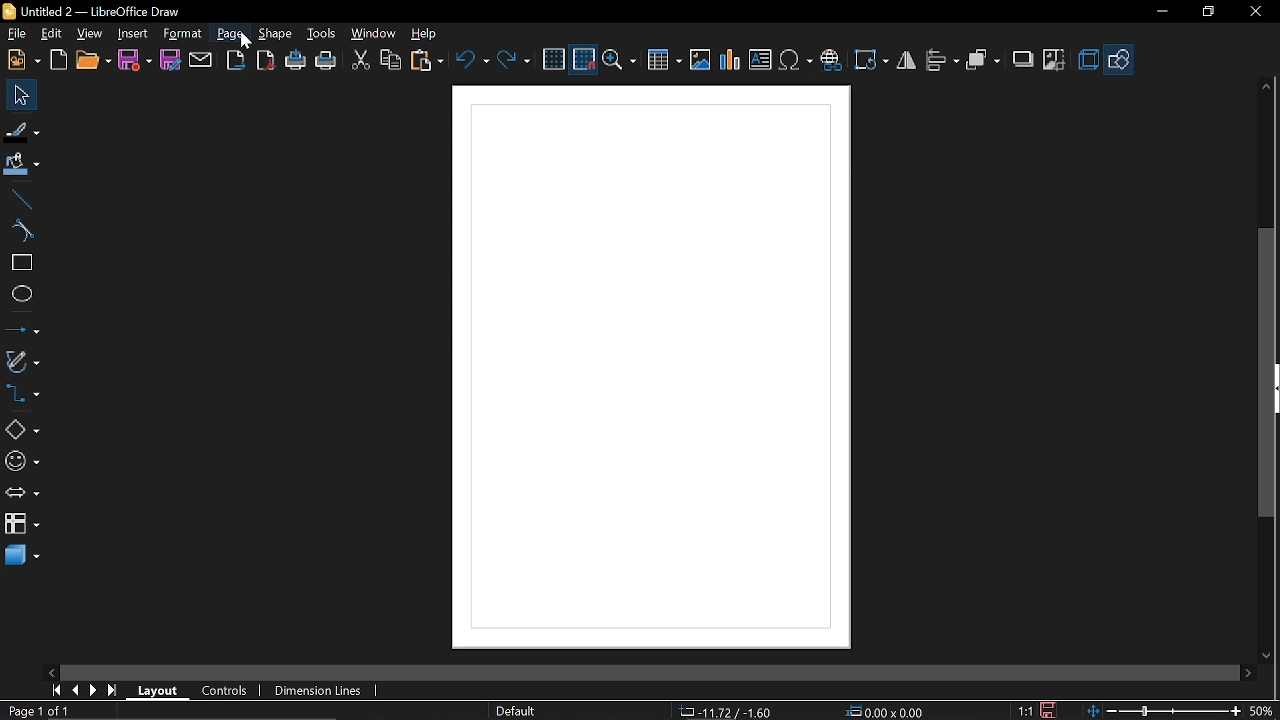 Image resolution: width=1280 pixels, height=720 pixels. I want to click on Move right, so click(1248, 672).